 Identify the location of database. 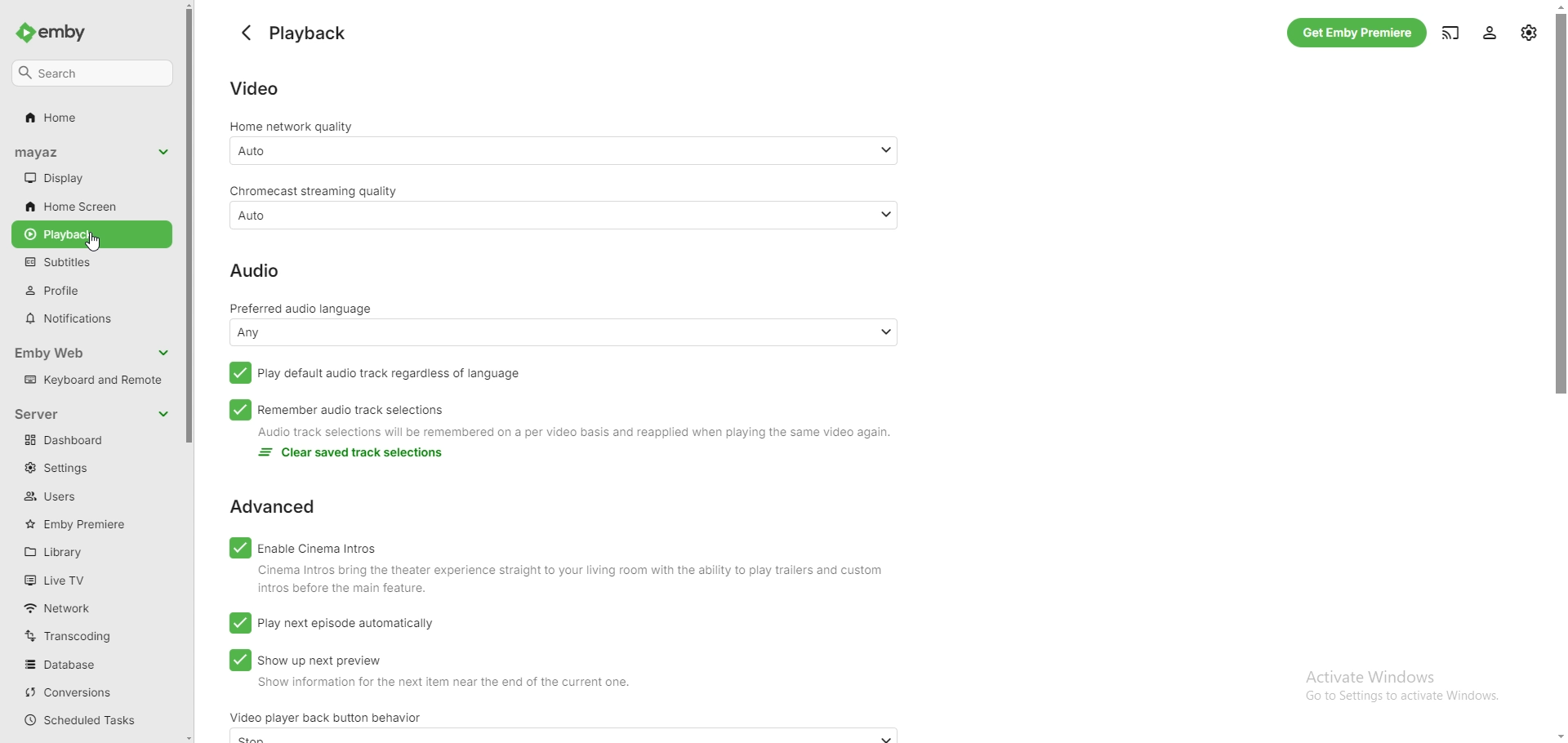
(90, 664).